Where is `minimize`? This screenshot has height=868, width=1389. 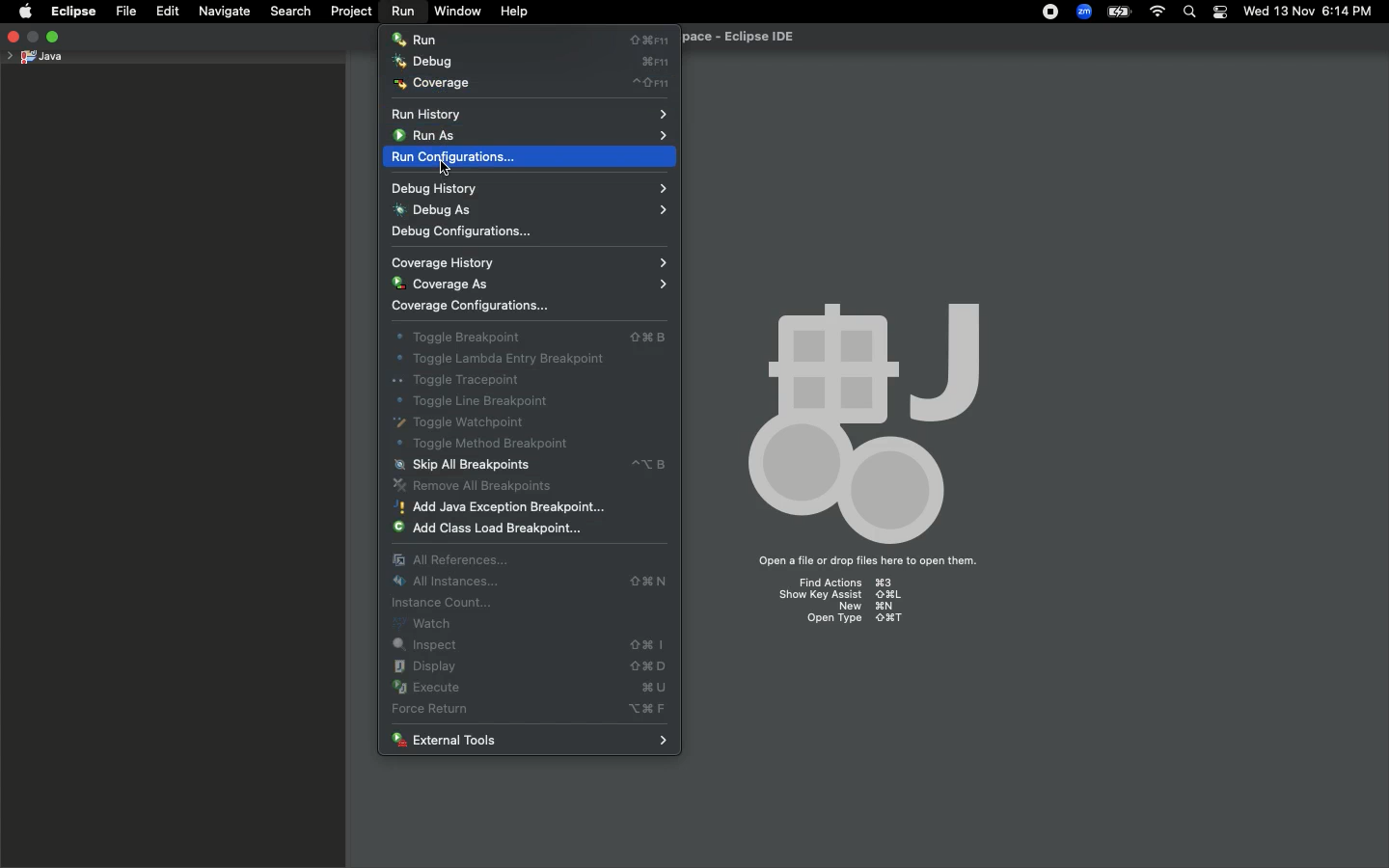 minimize is located at coordinates (34, 36).